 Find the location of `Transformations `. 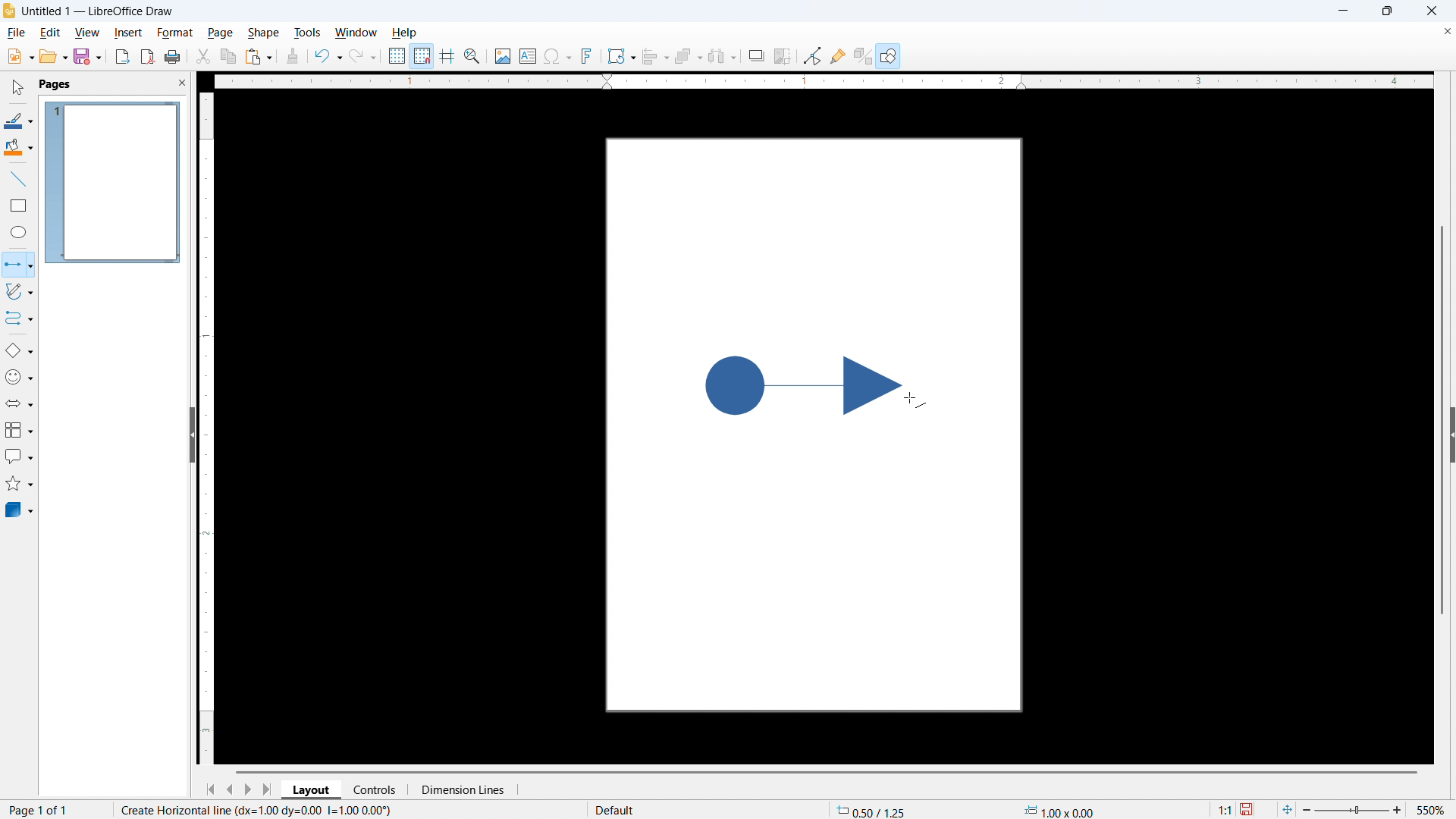

Transformations  is located at coordinates (621, 57).